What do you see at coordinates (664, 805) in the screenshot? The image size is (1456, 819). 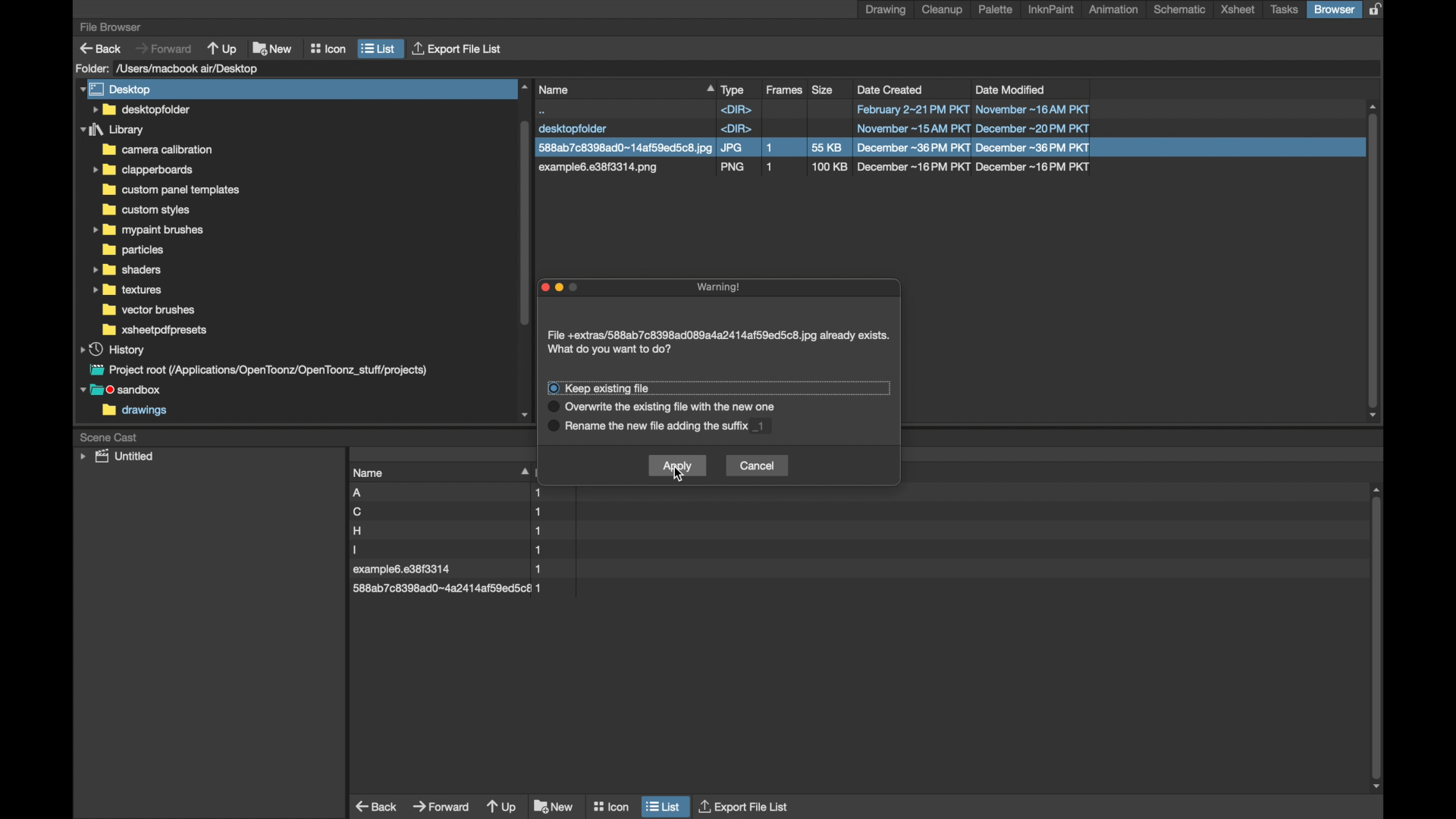 I see `list` at bounding box center [664, 805].